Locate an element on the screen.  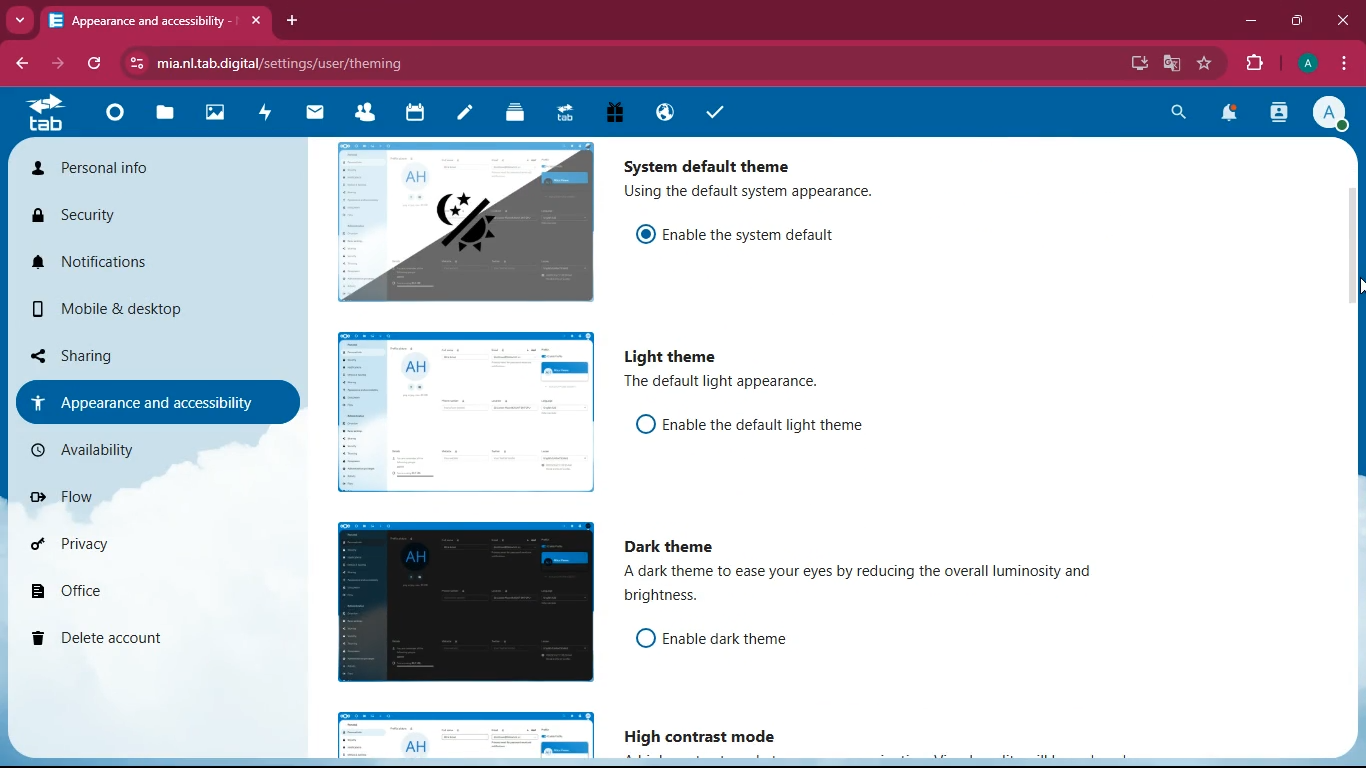
description is located at coordinates (873, 588).